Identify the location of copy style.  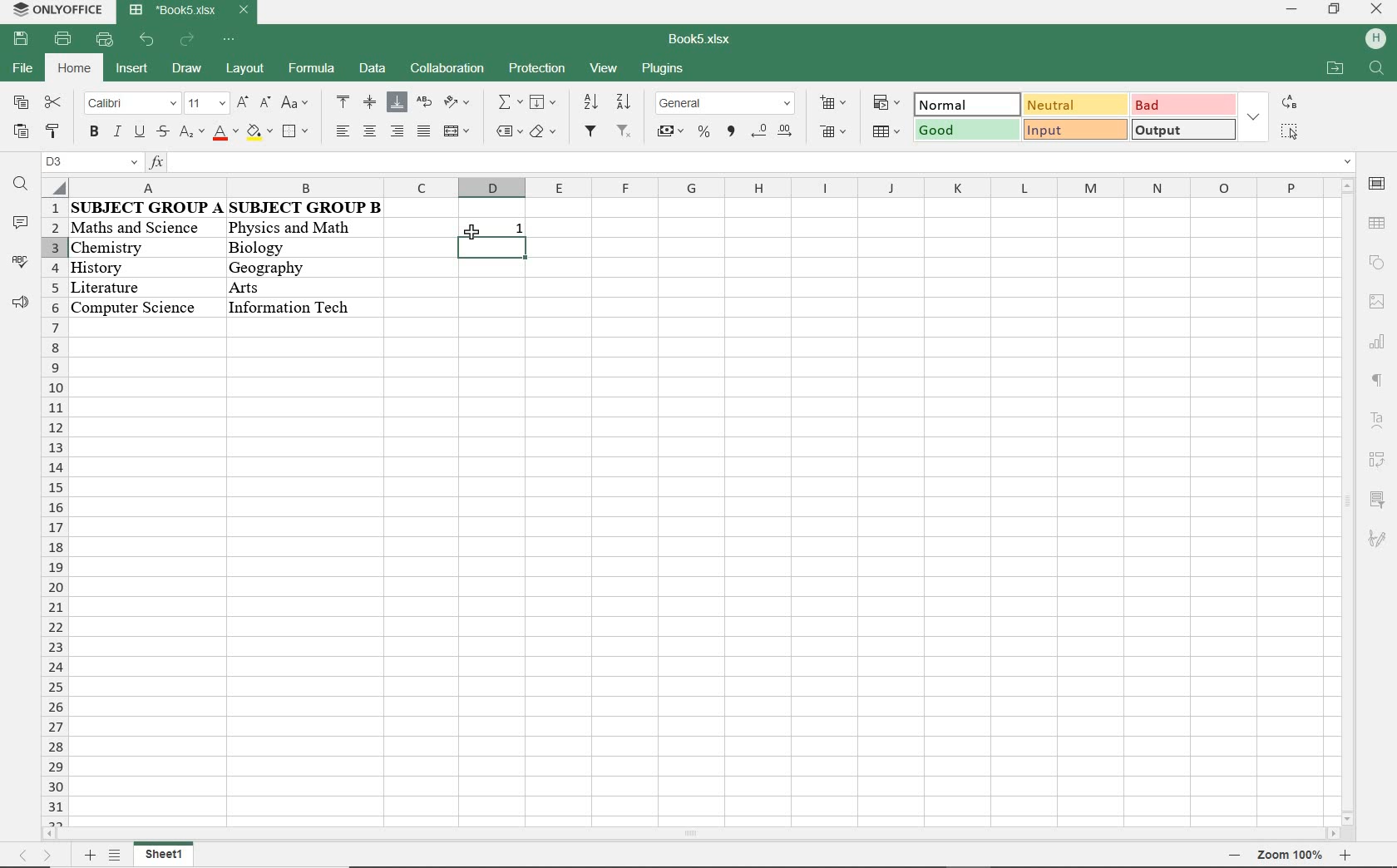
(52, 133).